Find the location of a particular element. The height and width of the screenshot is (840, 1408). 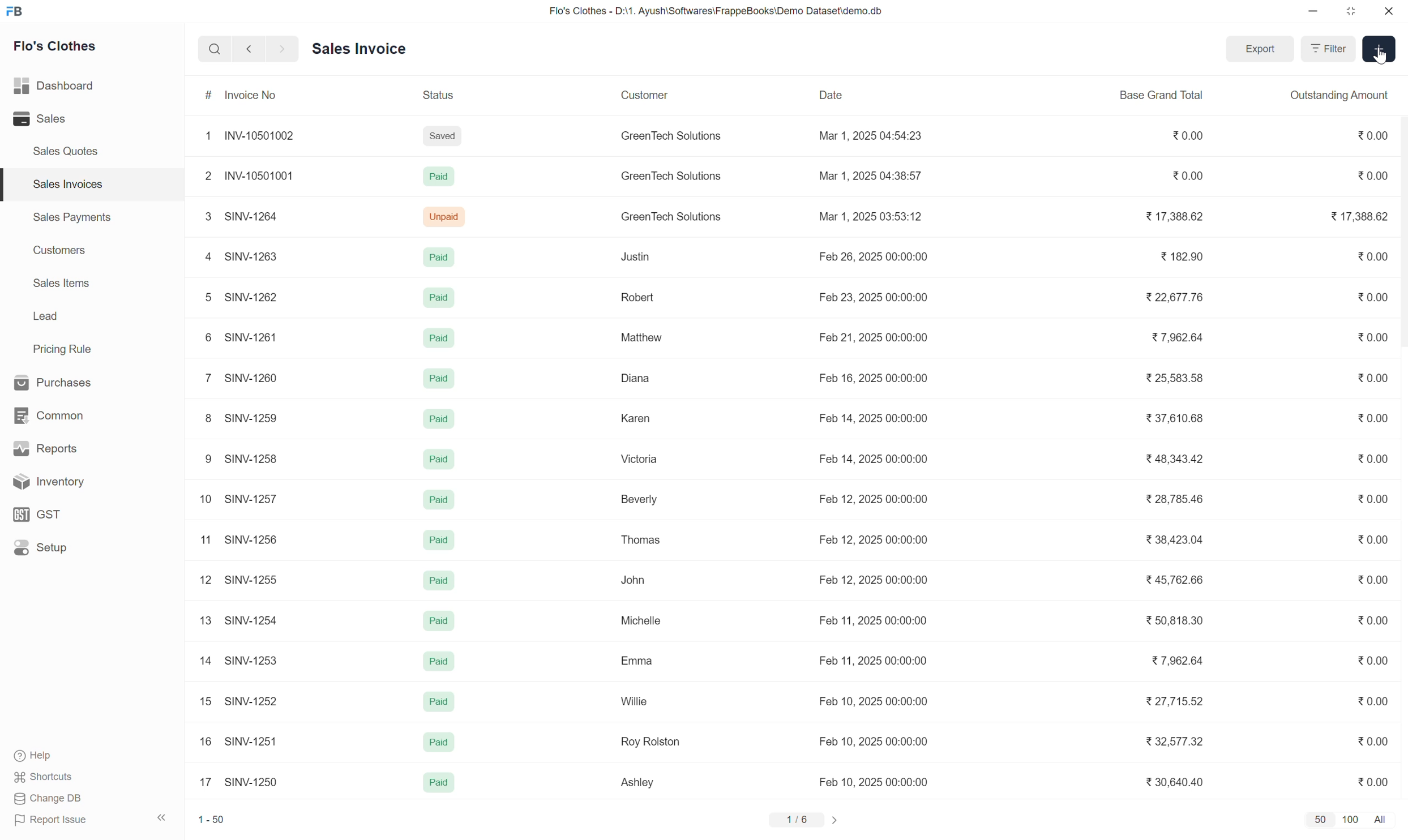

₹ 0.00 is located at coordinates (1192, 135).